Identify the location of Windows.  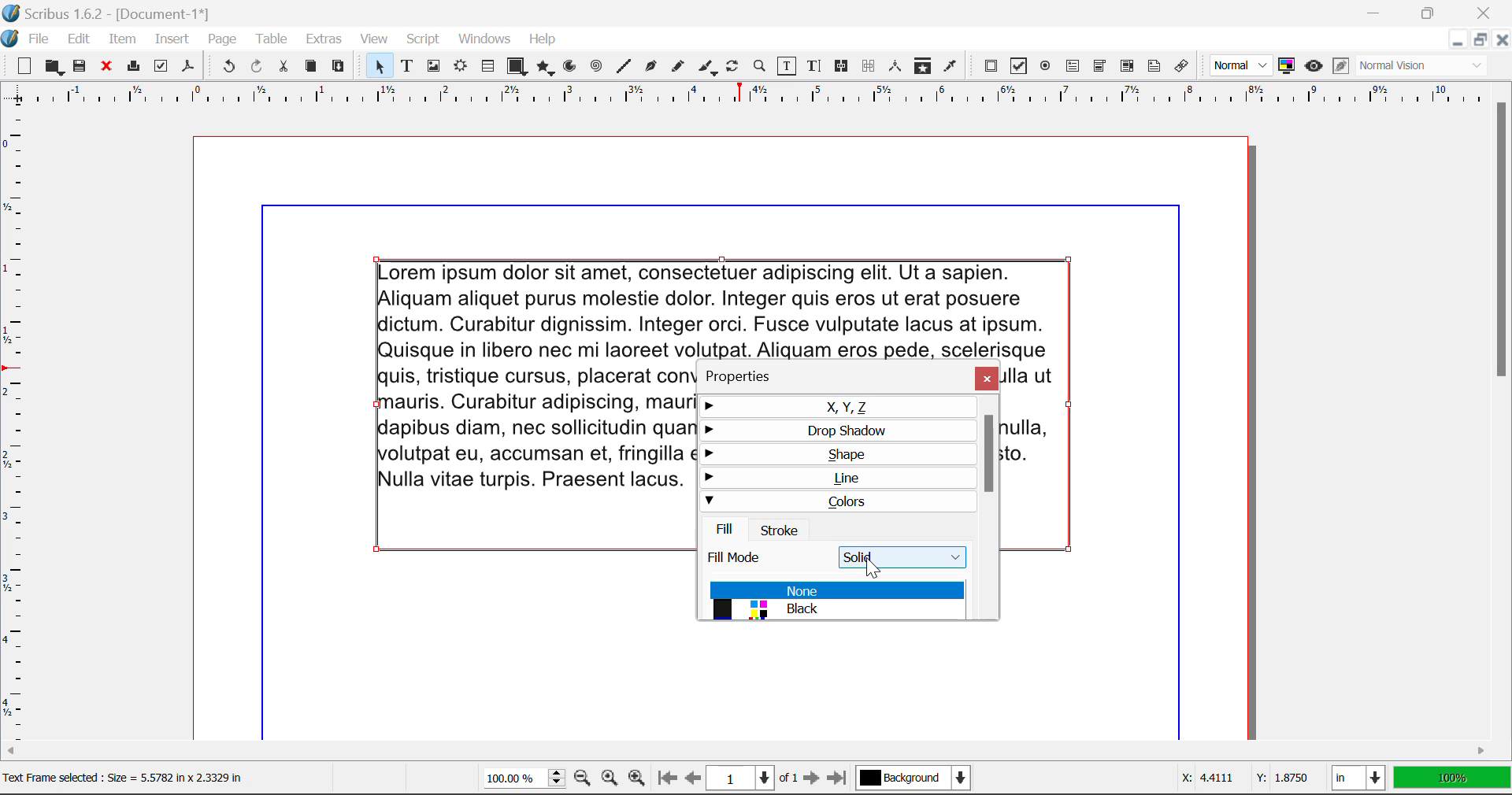
(483, 39).